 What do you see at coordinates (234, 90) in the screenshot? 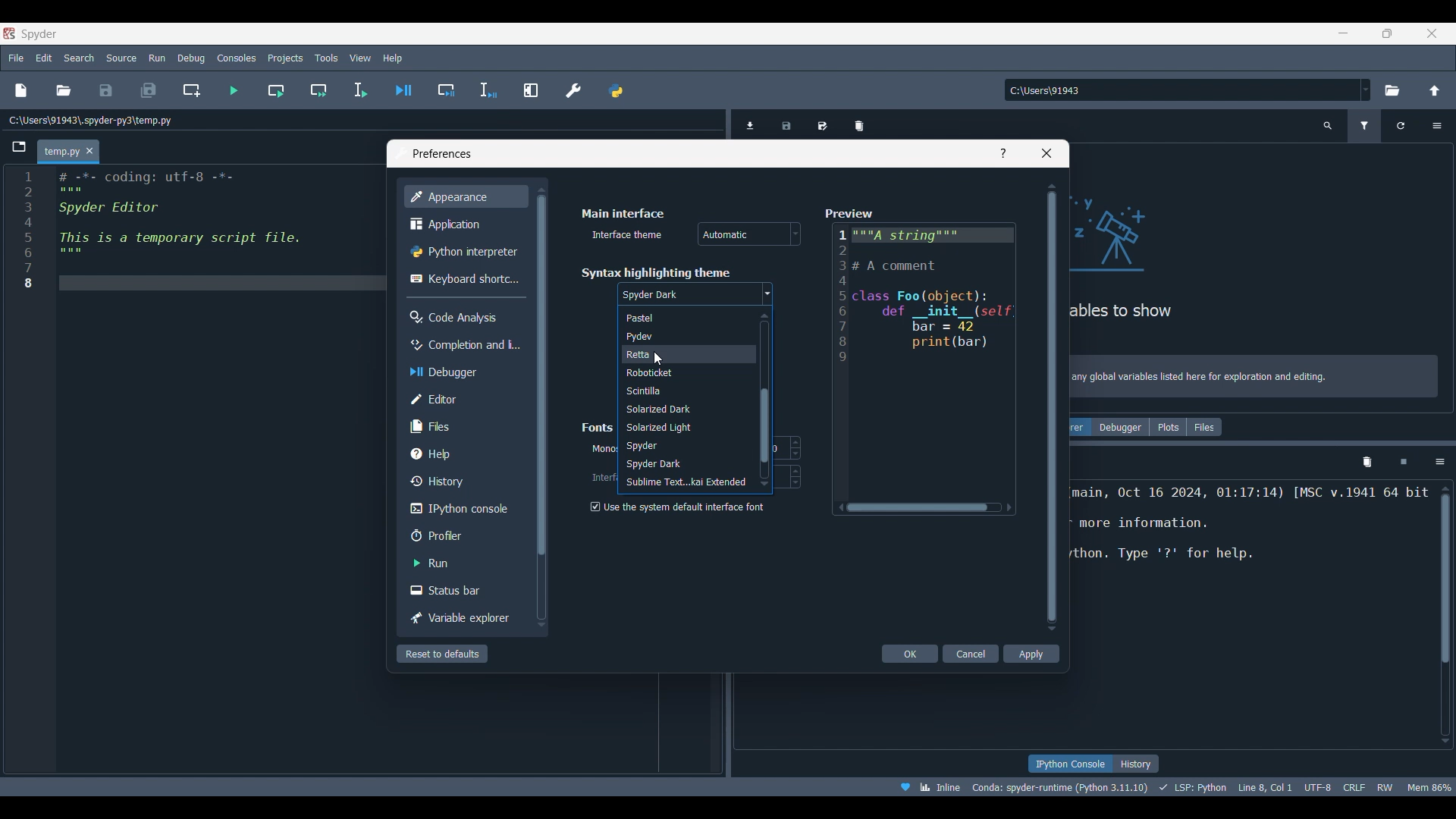
I see `Run file` at bounding box center [234, 90].